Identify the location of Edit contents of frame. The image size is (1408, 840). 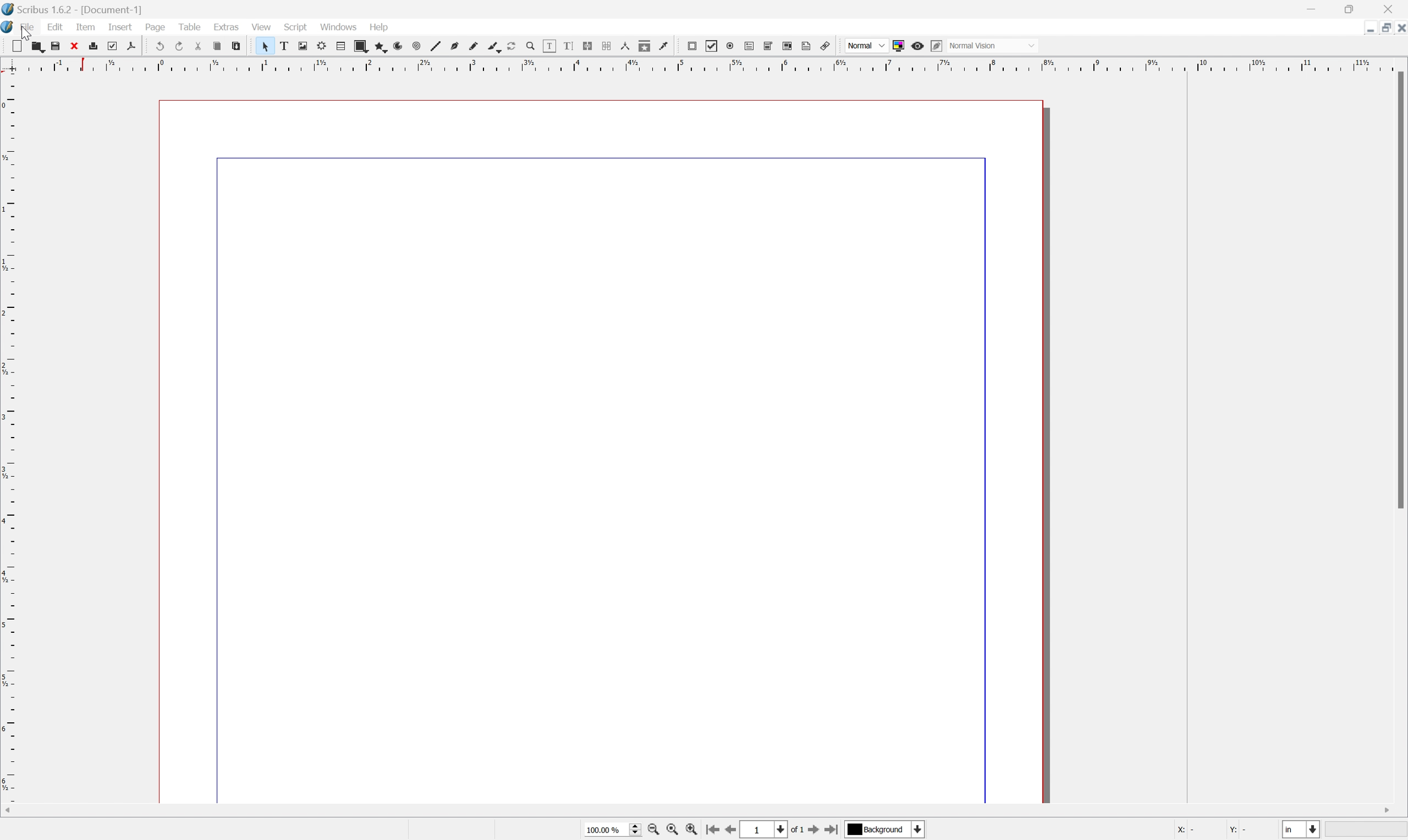
(549, 45).